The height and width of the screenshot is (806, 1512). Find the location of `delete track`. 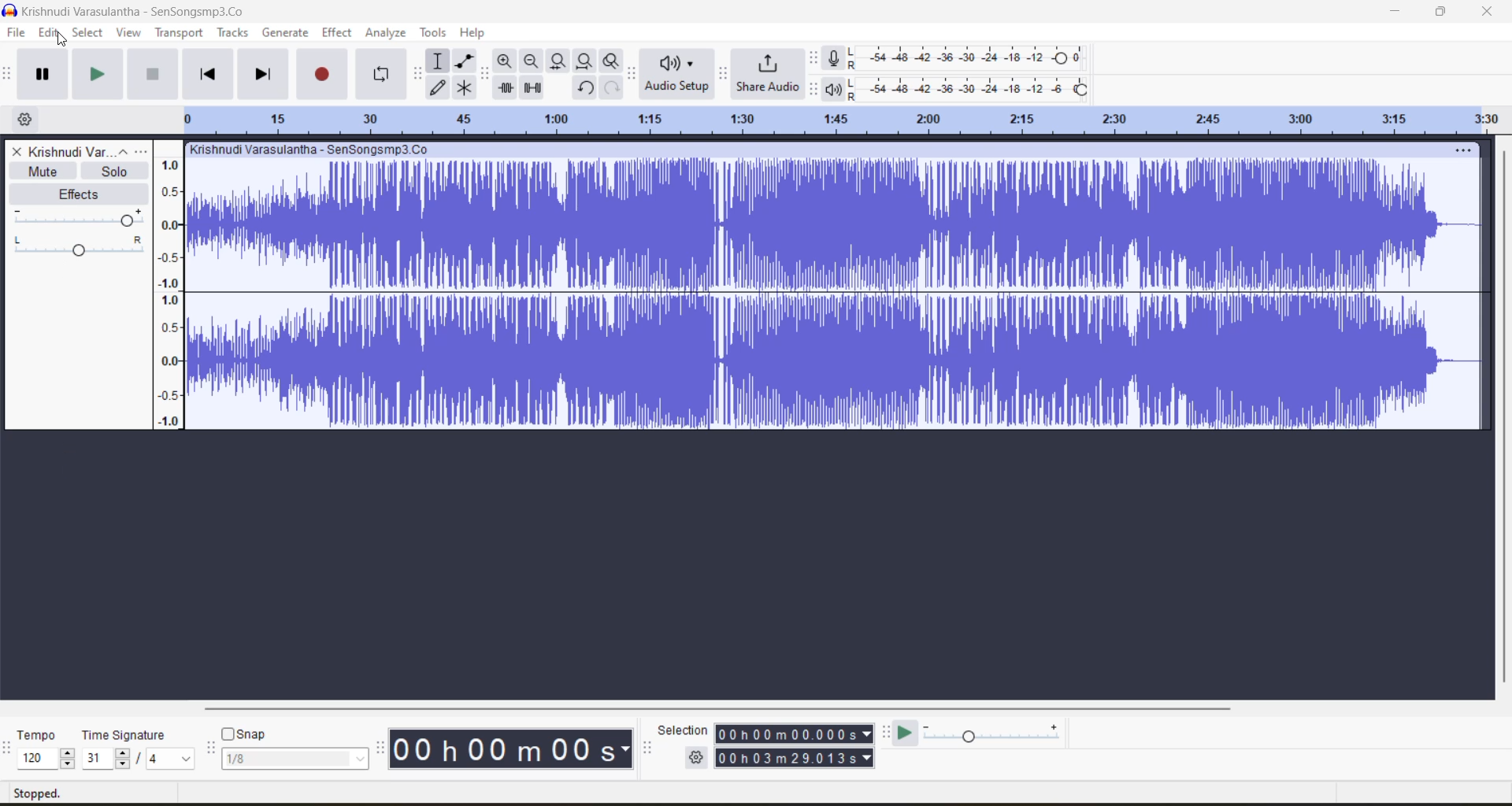

delete track is located at coordinates (19, 151).